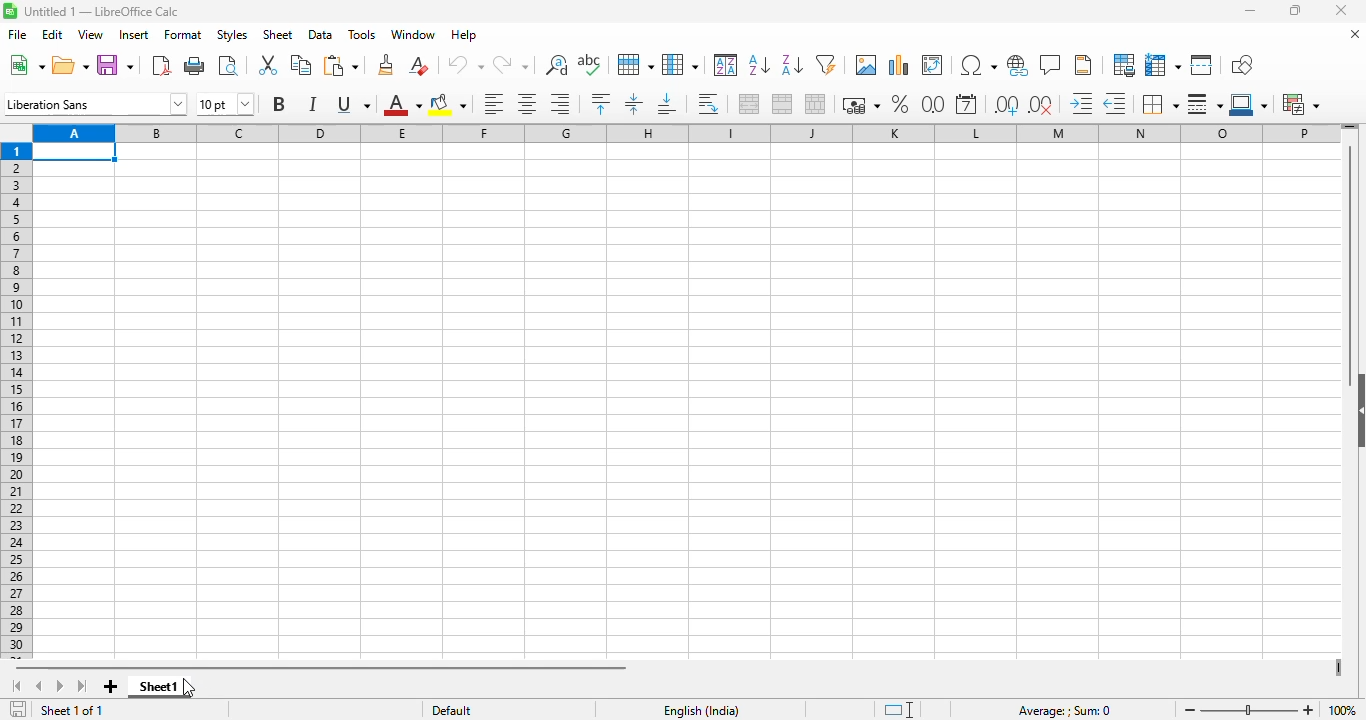 The image size is (1366, 720). Describe the element at coordinates (401, 104) in the screenshot. I see `font color` at that location.